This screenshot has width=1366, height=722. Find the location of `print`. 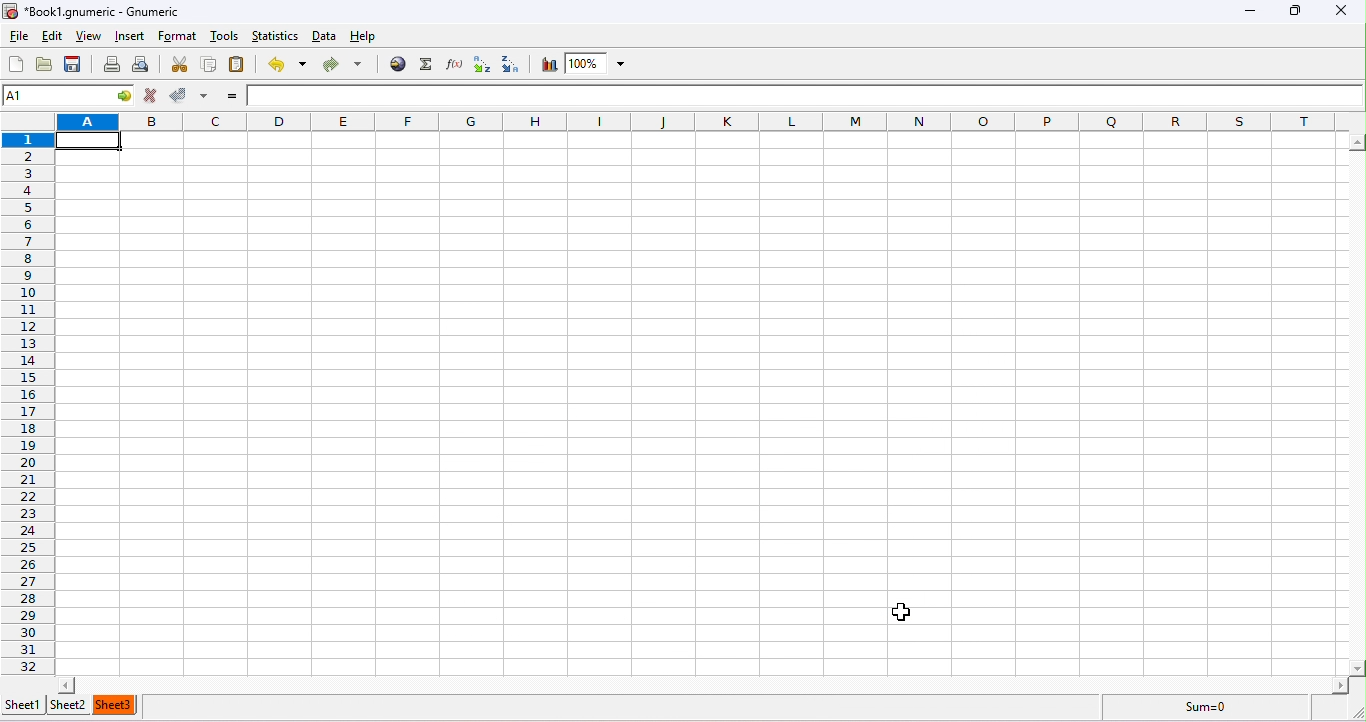

print is located at coordinates (112, 66).